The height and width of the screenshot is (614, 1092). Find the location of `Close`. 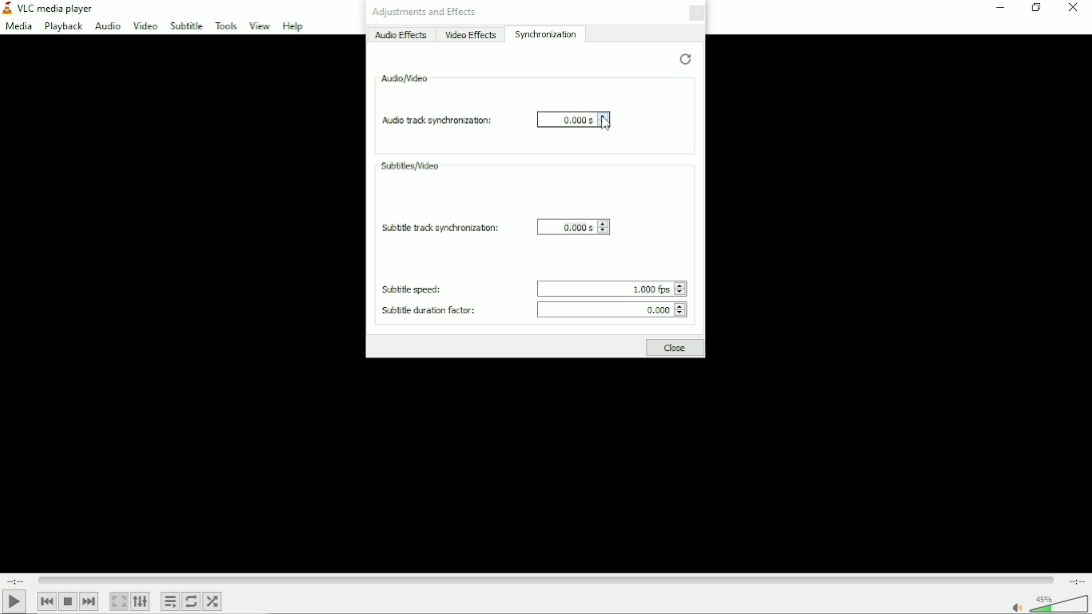

Close is located at coordinates (674, 347).